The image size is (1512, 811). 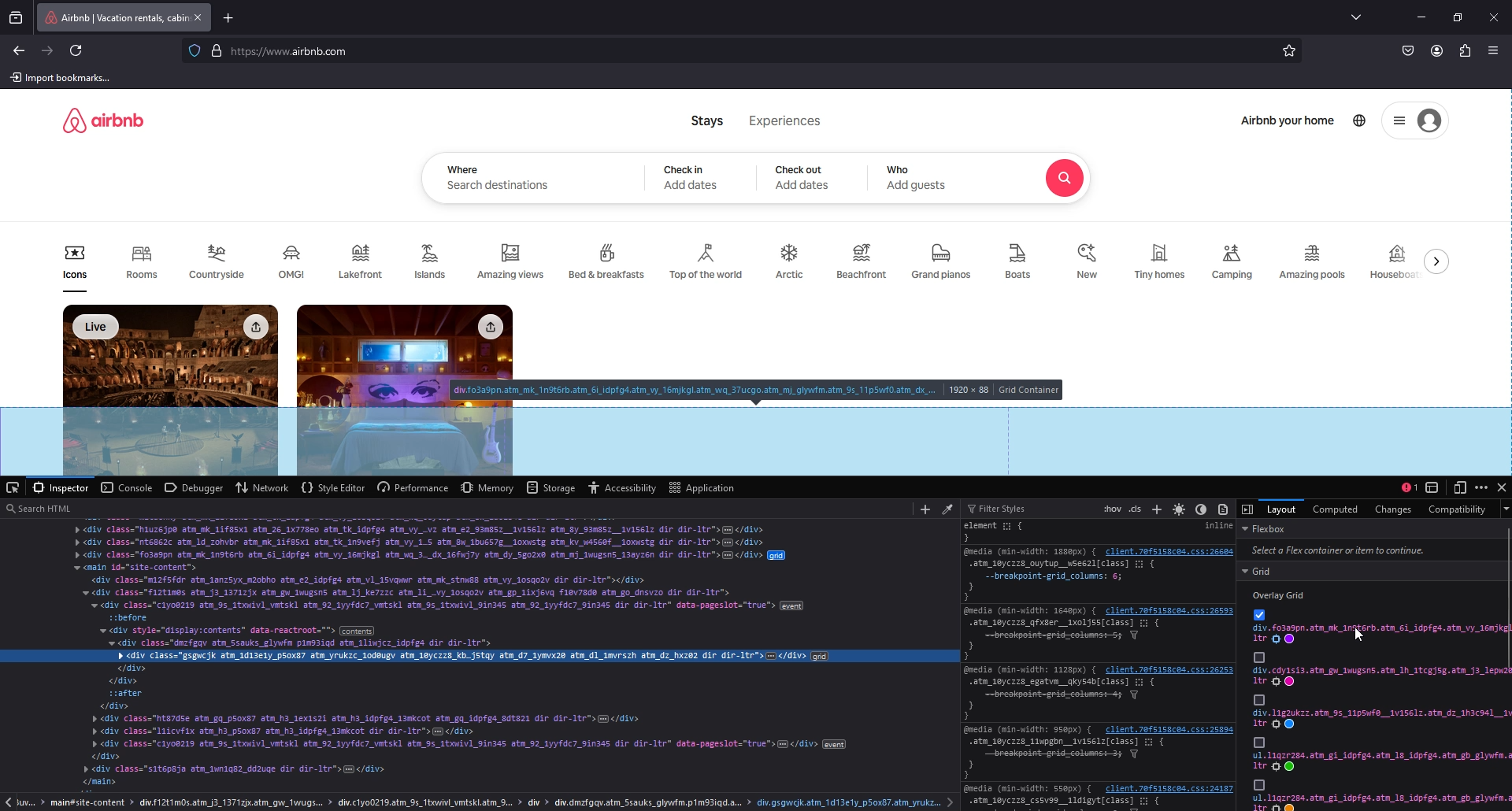 What do you see at coordinates (219, 50) in the screenshot?
I see `verified` at bounding box center [219, 50].